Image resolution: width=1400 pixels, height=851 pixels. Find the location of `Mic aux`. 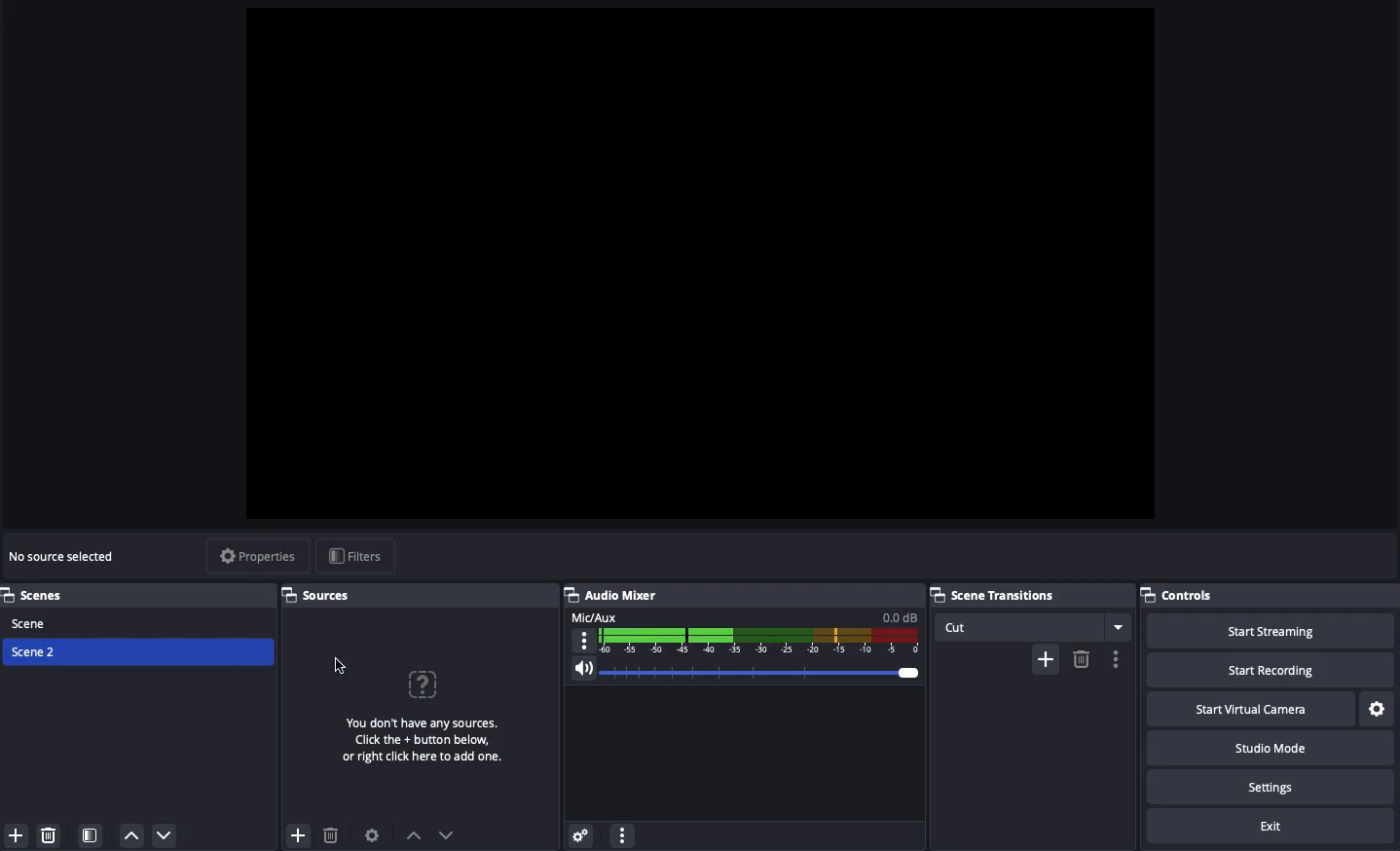

Mic aux is located at coordinates (746, 631).